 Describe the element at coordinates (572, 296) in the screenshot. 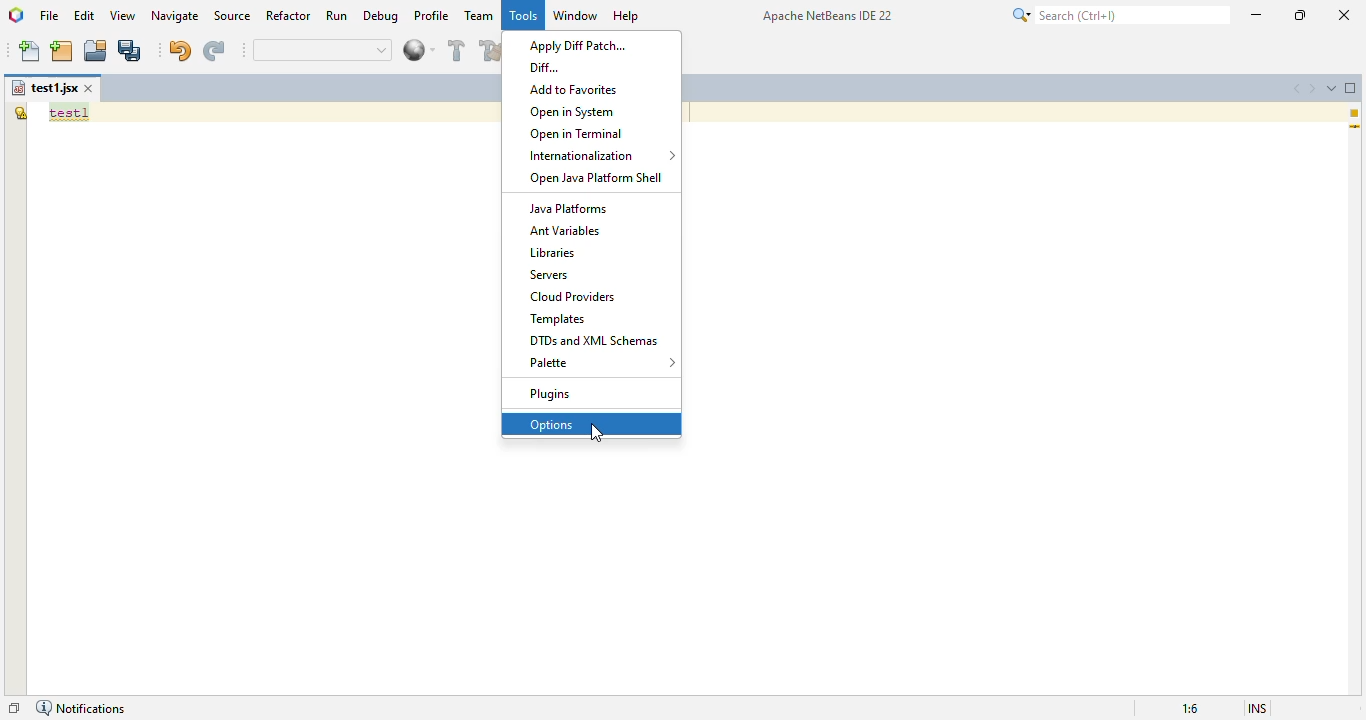

I see `cloud providers` at that location.